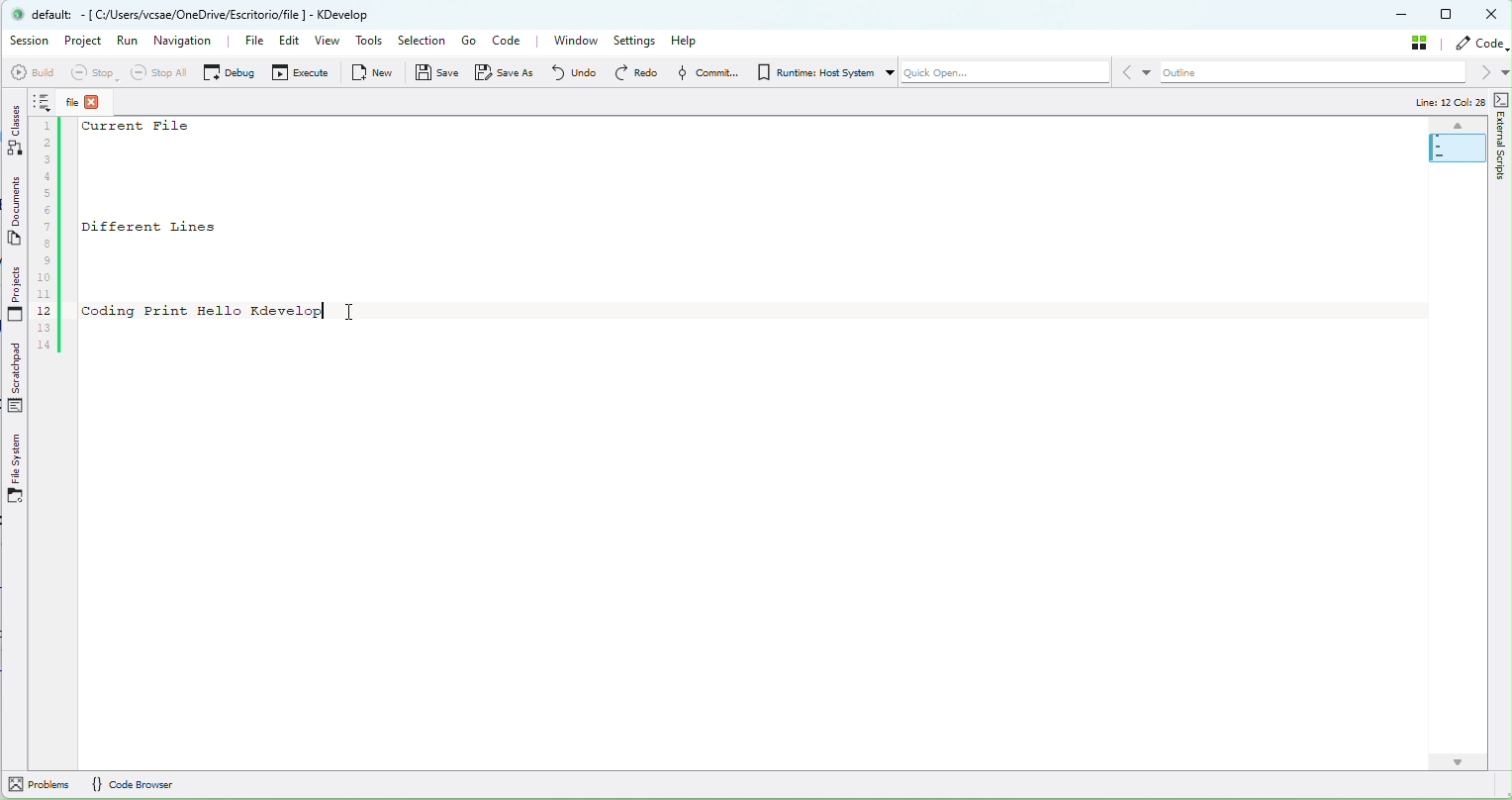 This screenshot has width=1512, height=800. Describe the element at coordinates (330, 43) in the screenshot. I see `View` at that location.